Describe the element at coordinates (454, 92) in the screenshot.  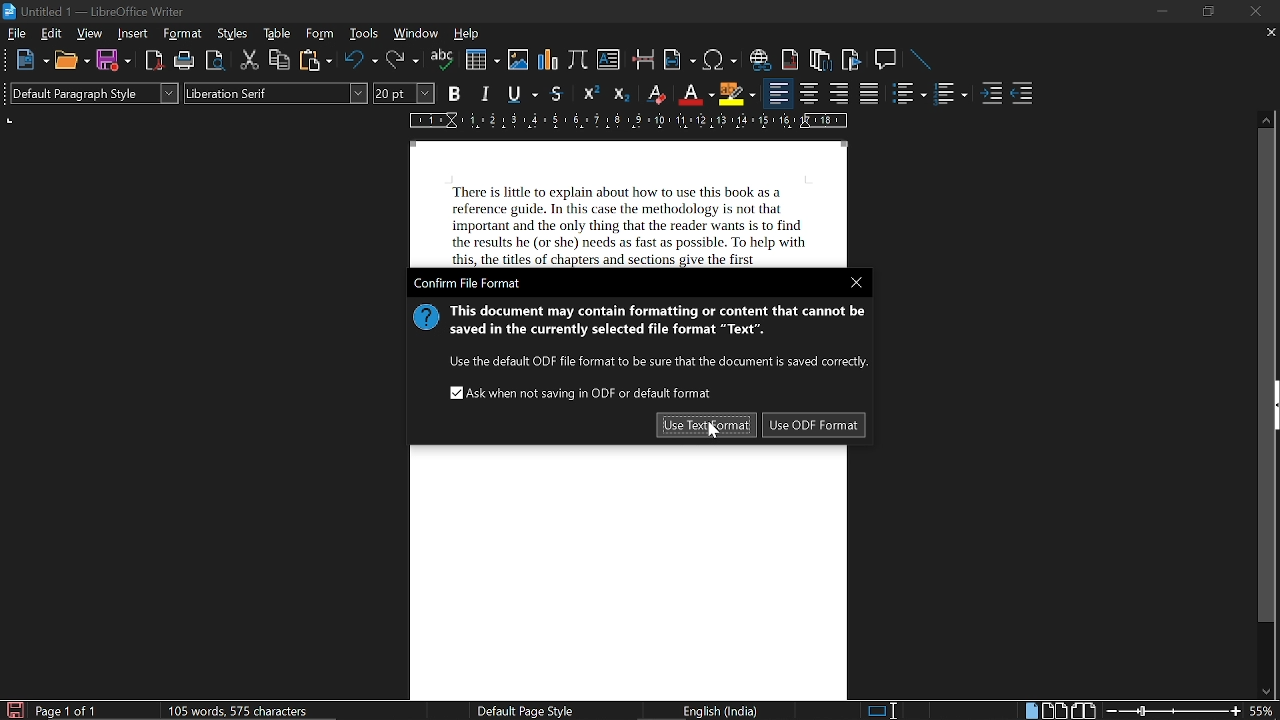
I see `bold` at that location.